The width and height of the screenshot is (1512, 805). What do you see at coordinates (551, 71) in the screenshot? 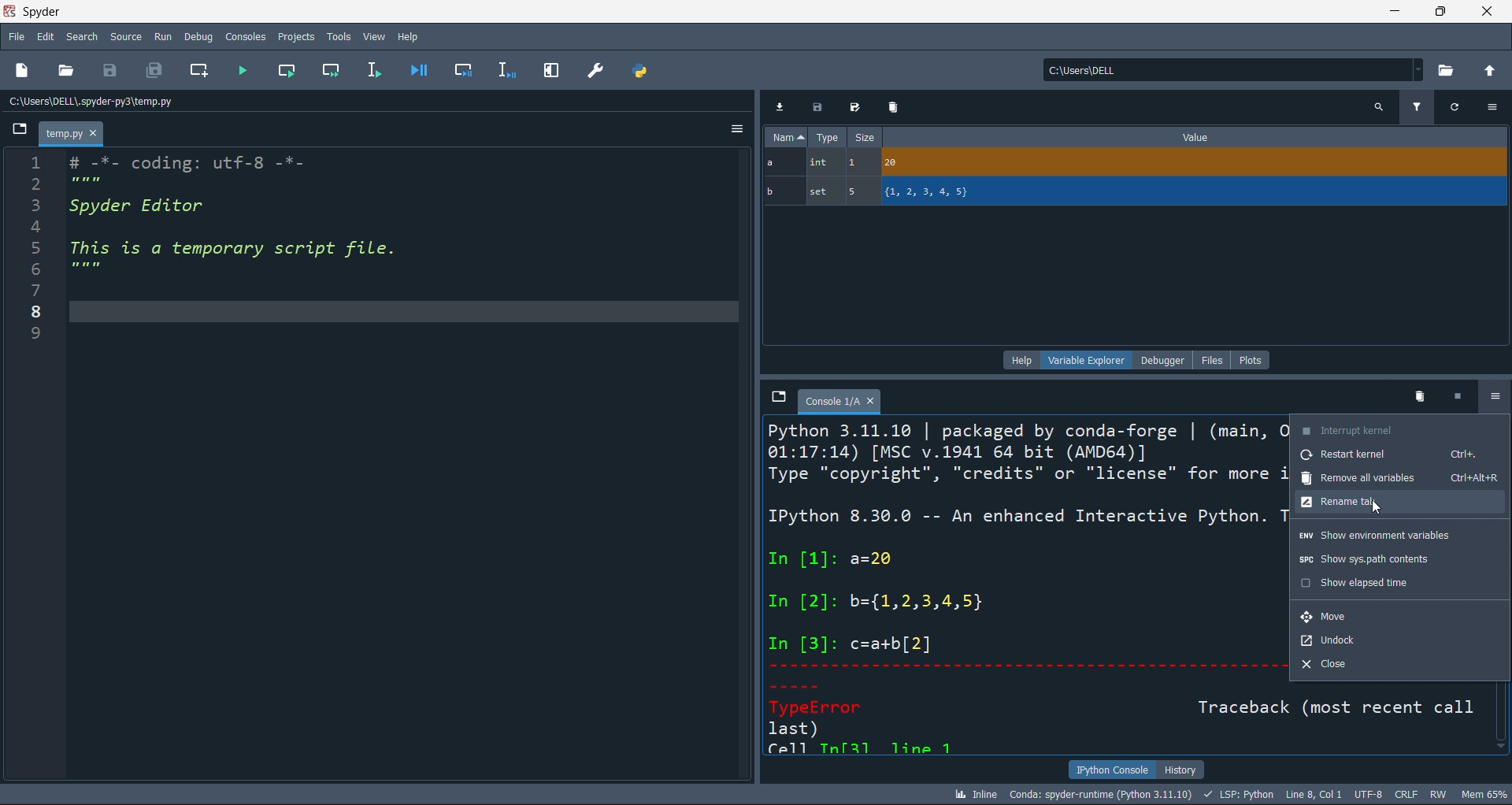
I see `expand pane` at bounding box center [551, 71].